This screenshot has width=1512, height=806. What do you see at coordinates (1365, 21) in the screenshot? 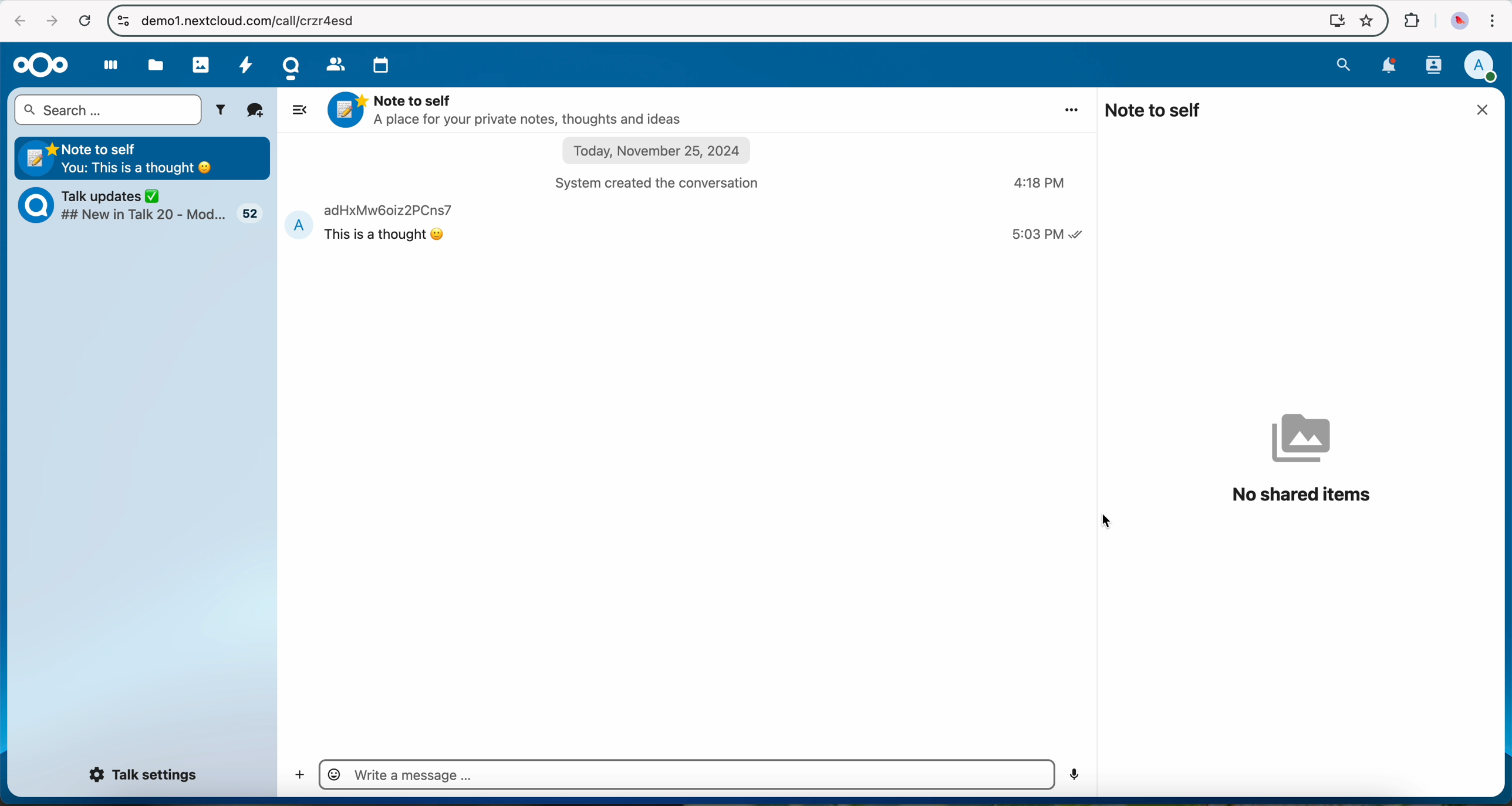
I see `favorites` at bounding box center [1365, 21].